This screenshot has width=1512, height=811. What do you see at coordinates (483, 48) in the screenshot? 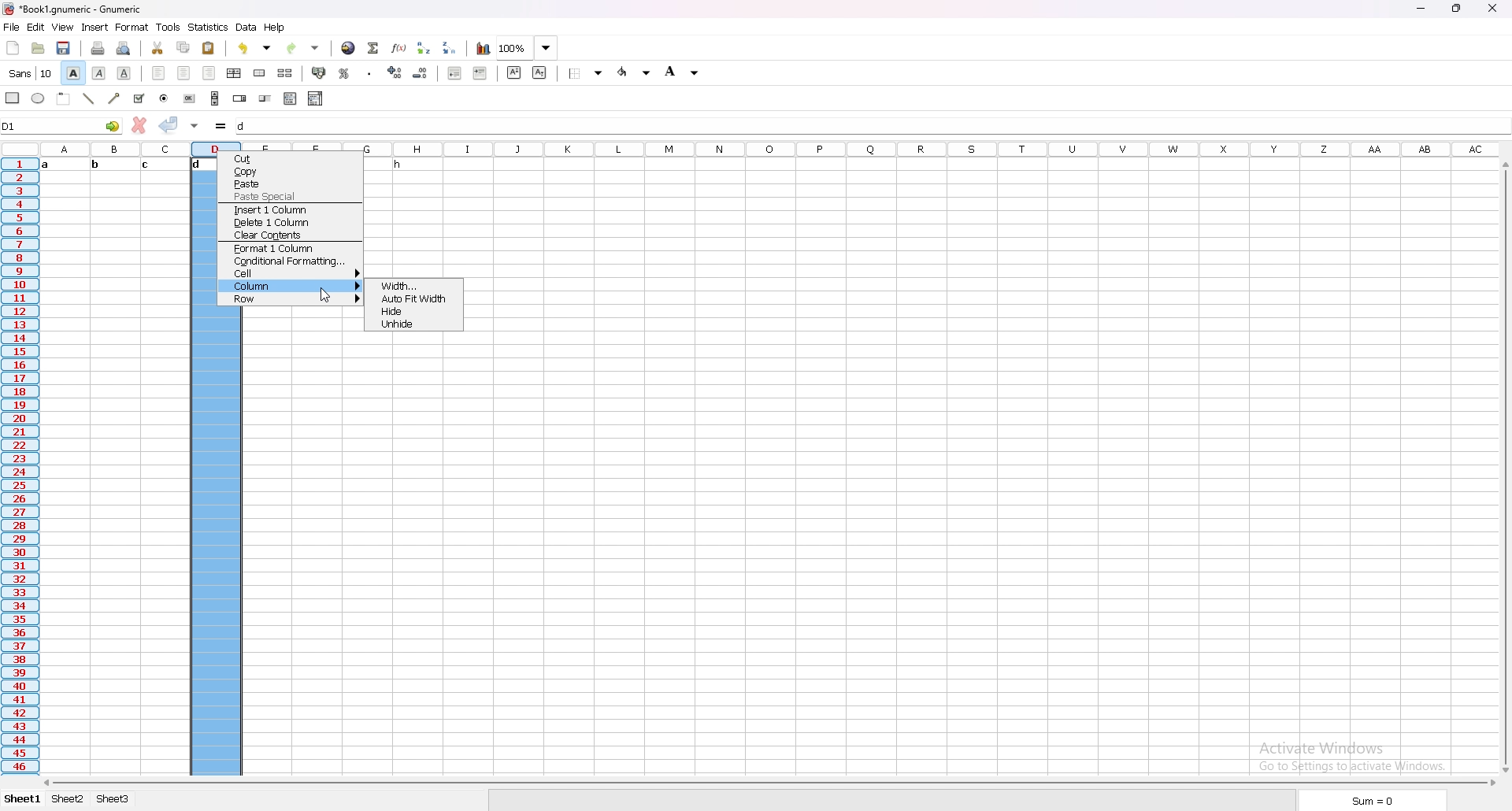
I see `chart` at bounding box center [483, 48].